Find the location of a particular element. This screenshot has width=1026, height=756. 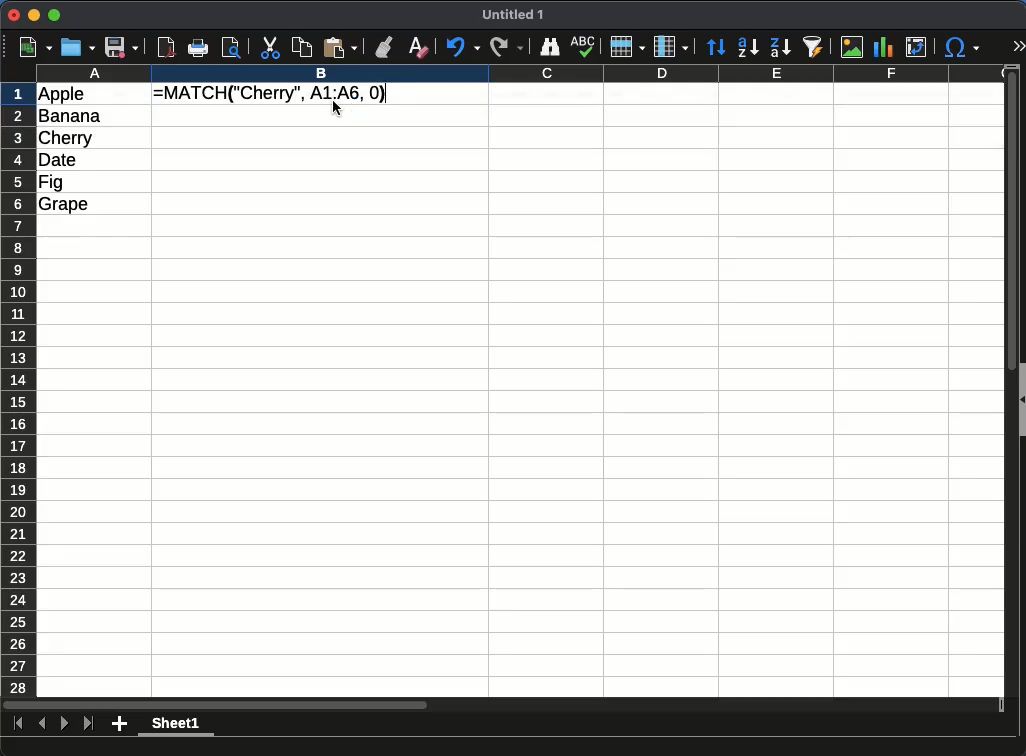

row is located at coordinates (628, 47).